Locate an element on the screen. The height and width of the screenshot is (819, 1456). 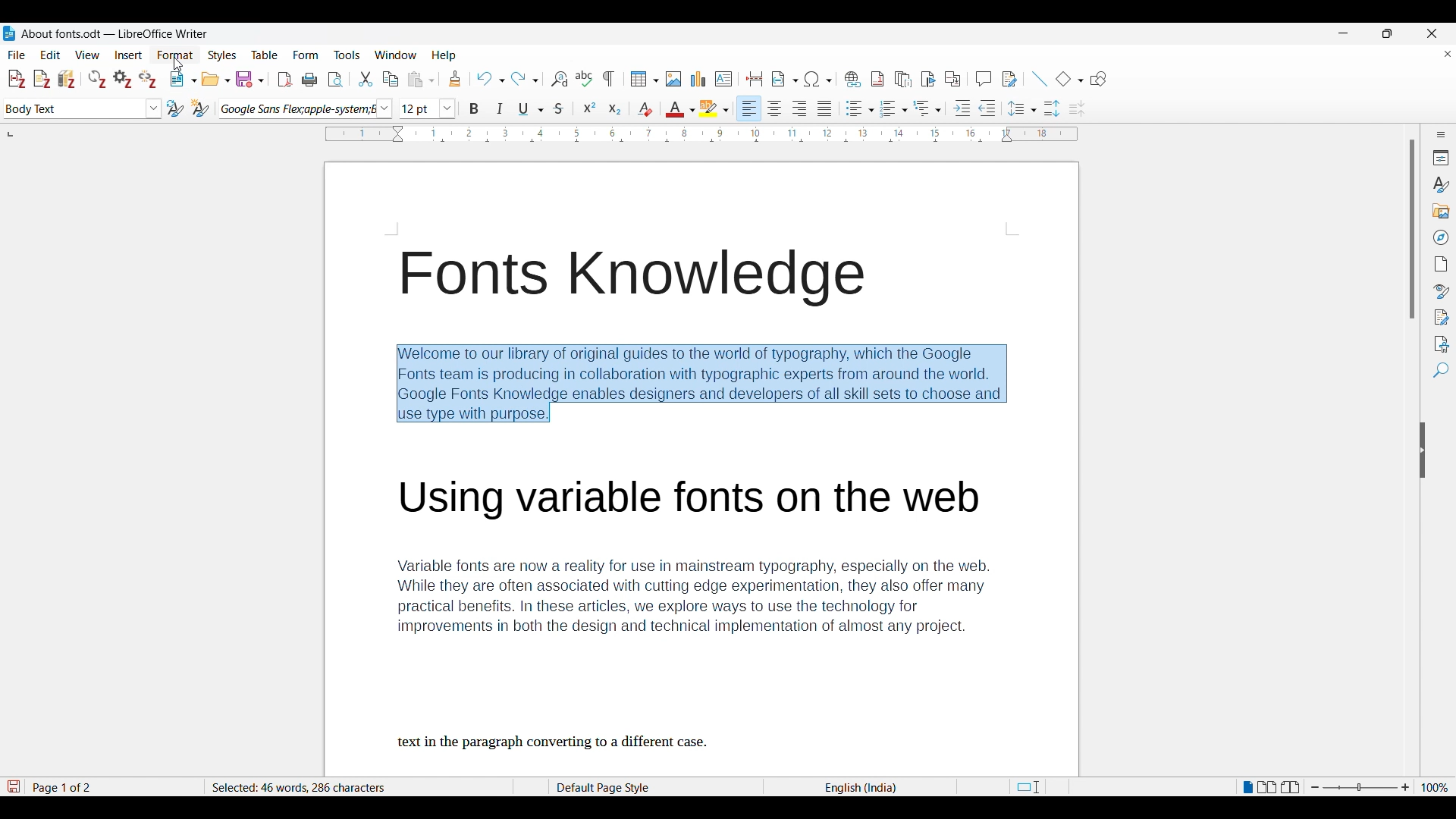
Text color options is located at coordinates (681, 108).